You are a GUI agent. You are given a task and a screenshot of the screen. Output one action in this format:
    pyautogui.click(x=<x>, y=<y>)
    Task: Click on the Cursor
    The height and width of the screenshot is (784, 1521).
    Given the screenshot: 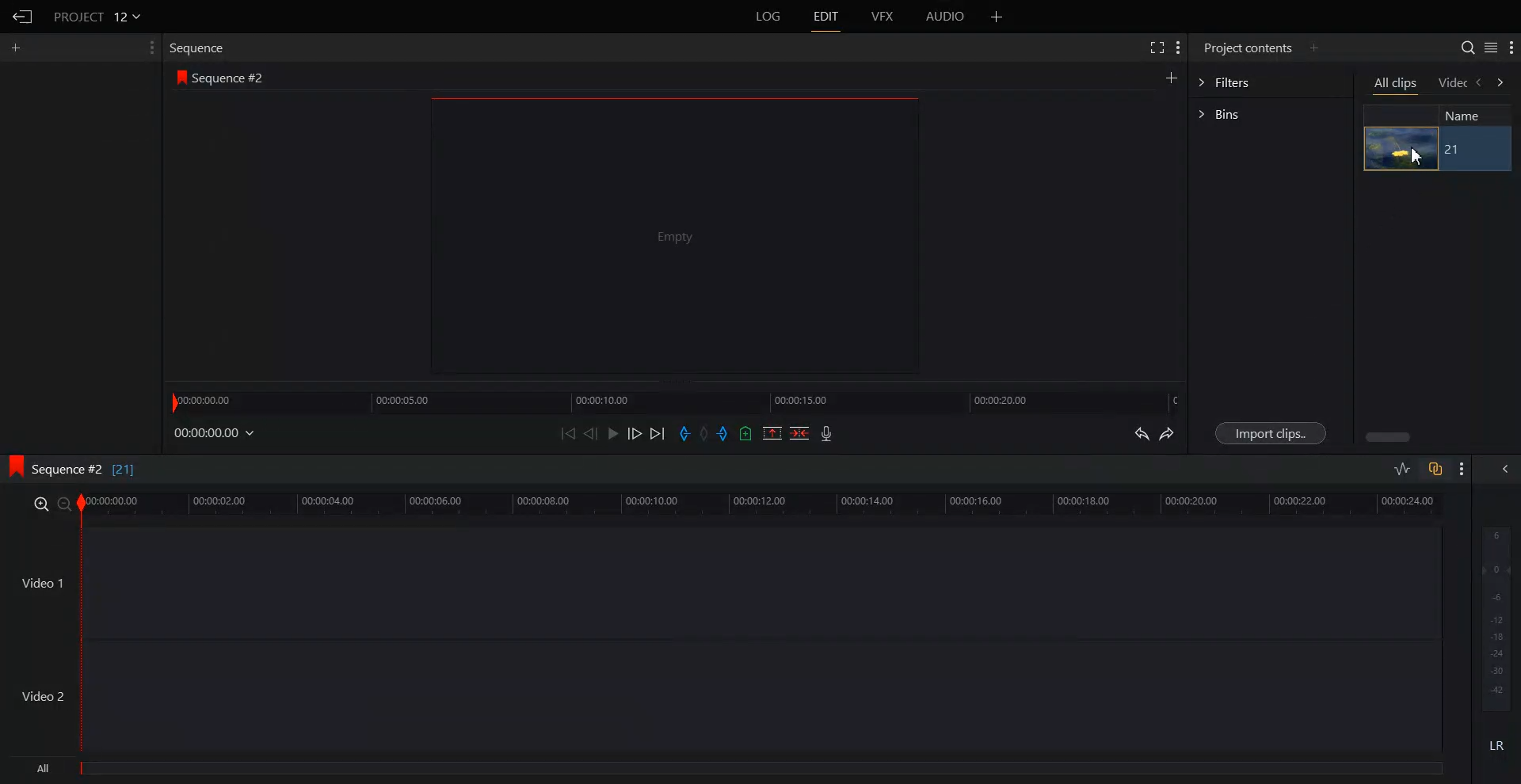 What is the action you would take?
    pyautogui.click(x=1420, y=156)
    